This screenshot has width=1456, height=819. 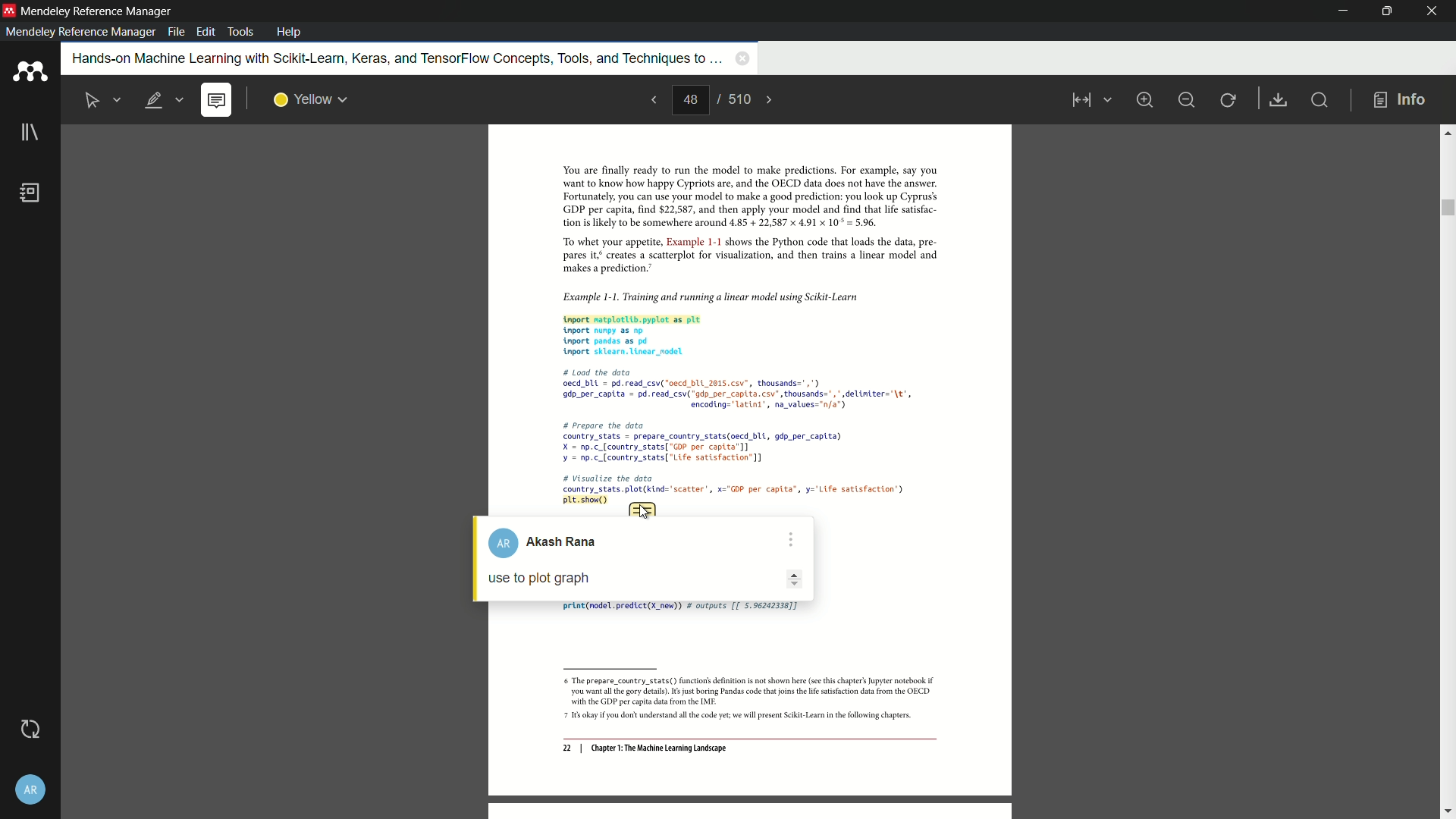 What do you see at coordinates (1144, 99) in the screenshot?
I see `zoom in` at bounding box center [1144, 99].